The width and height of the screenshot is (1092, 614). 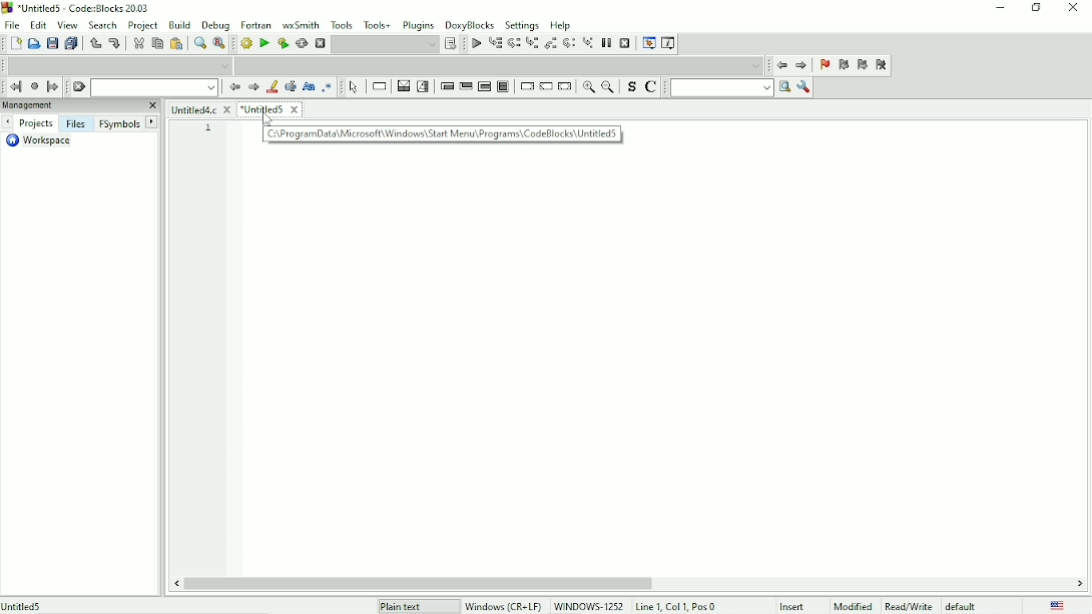 I want to click on Language, so click(x=1057, y=606).